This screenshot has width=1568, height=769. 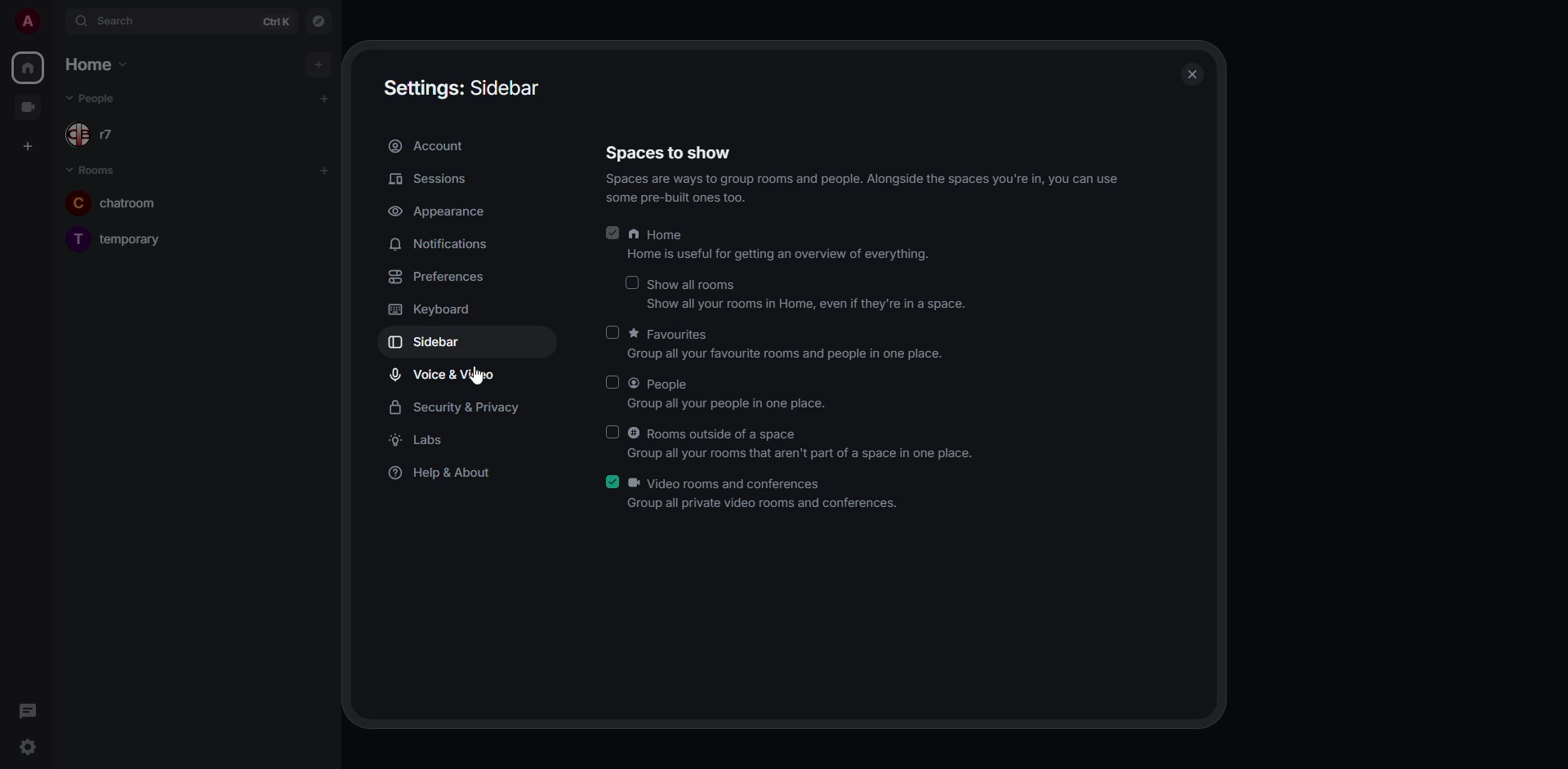 What do you see at coordinates (474, 87) in the screenshot?
I see `settings sidebar` at bounding box center [474, 87].